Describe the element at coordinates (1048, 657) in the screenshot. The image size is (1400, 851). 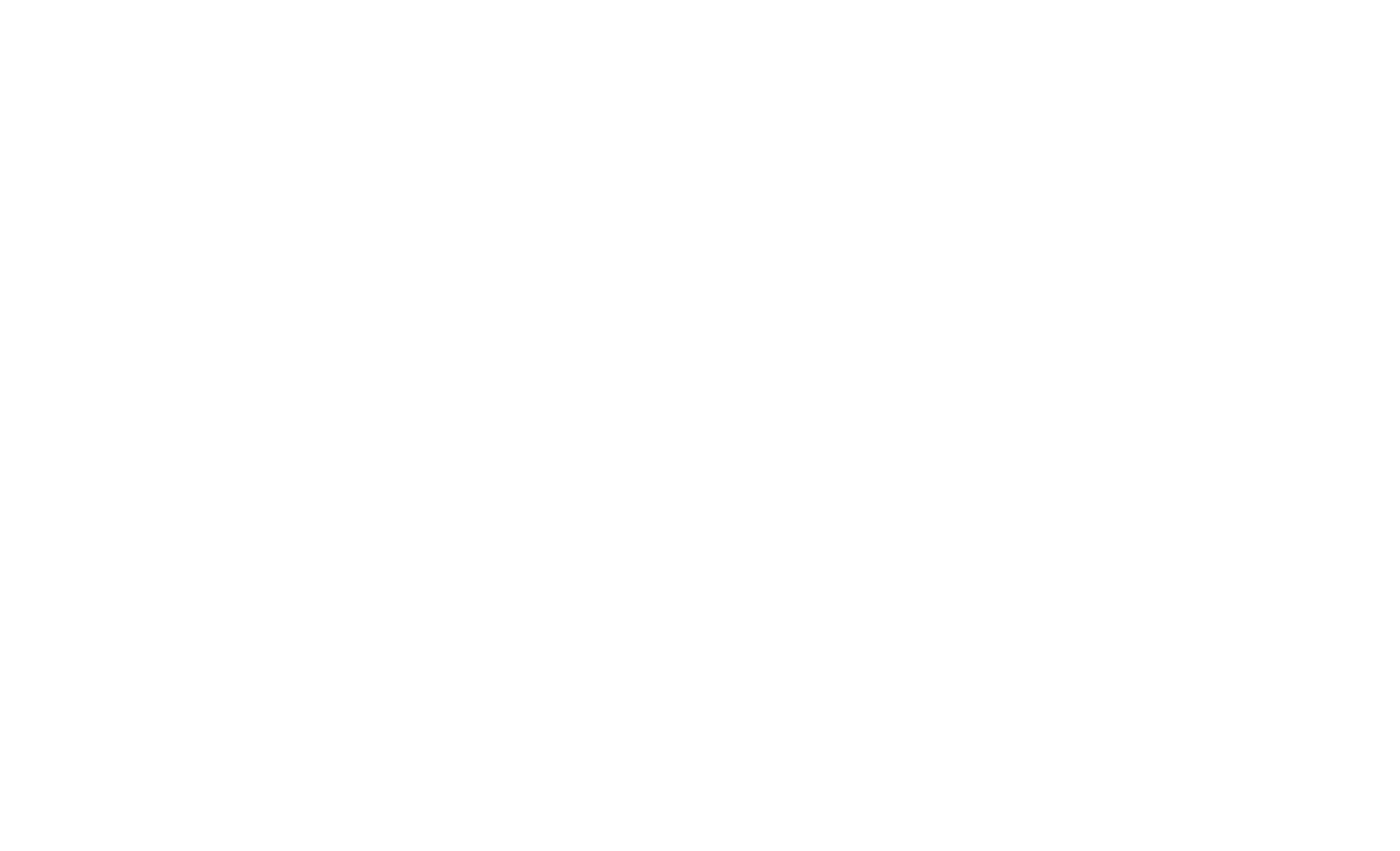
I see `Add` at that location.